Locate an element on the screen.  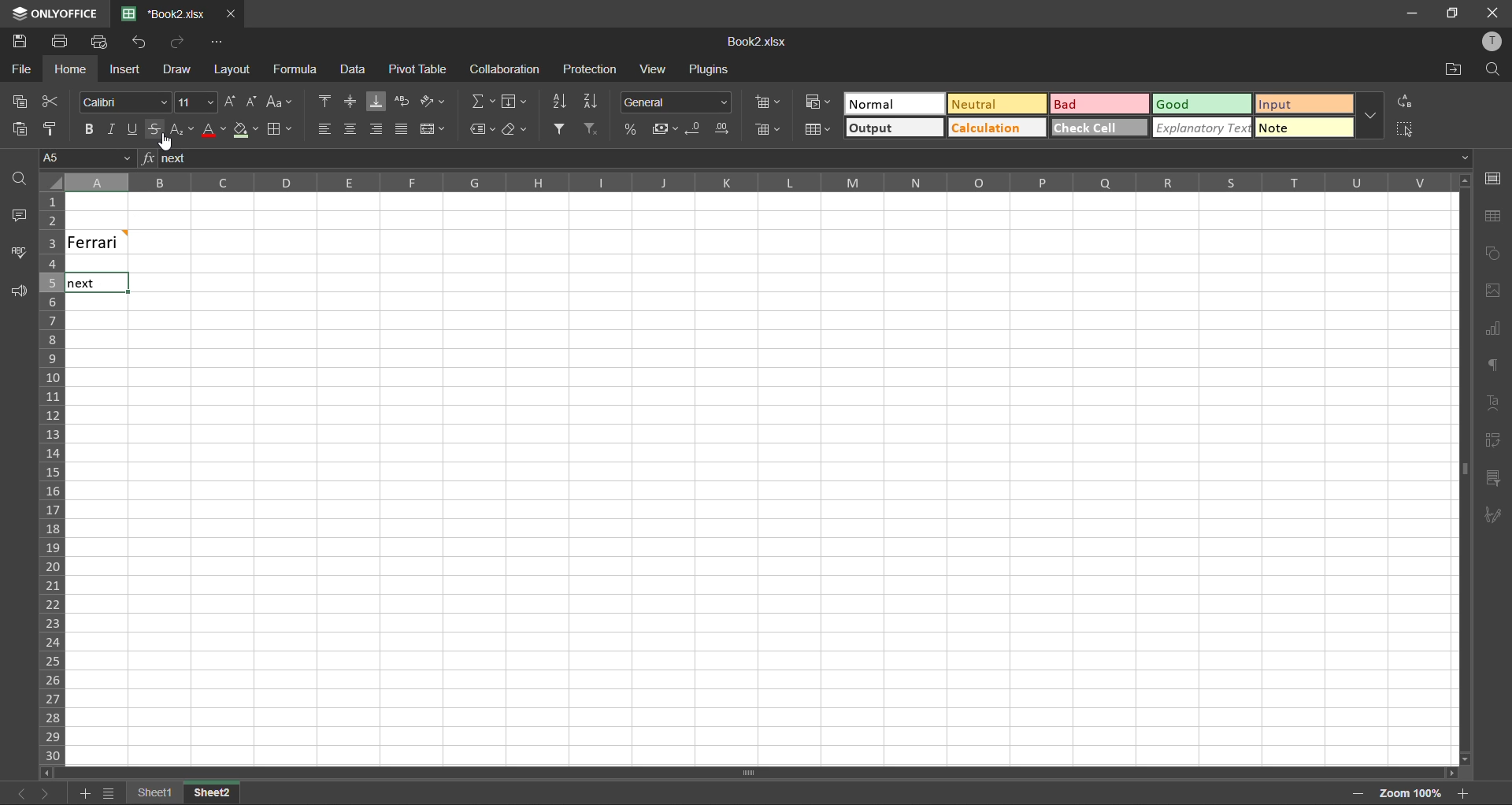
plugins is located at coordinates (713, 69).